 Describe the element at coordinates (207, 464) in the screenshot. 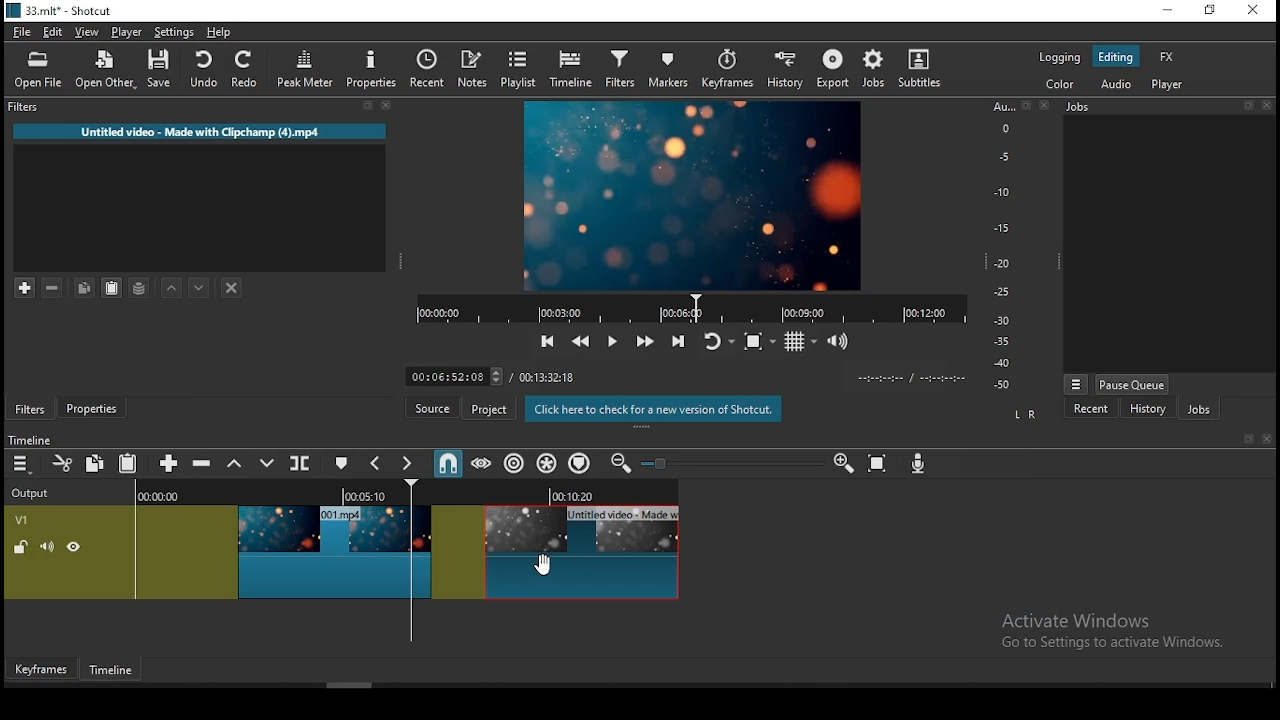

I see `ripple delete` at that location.